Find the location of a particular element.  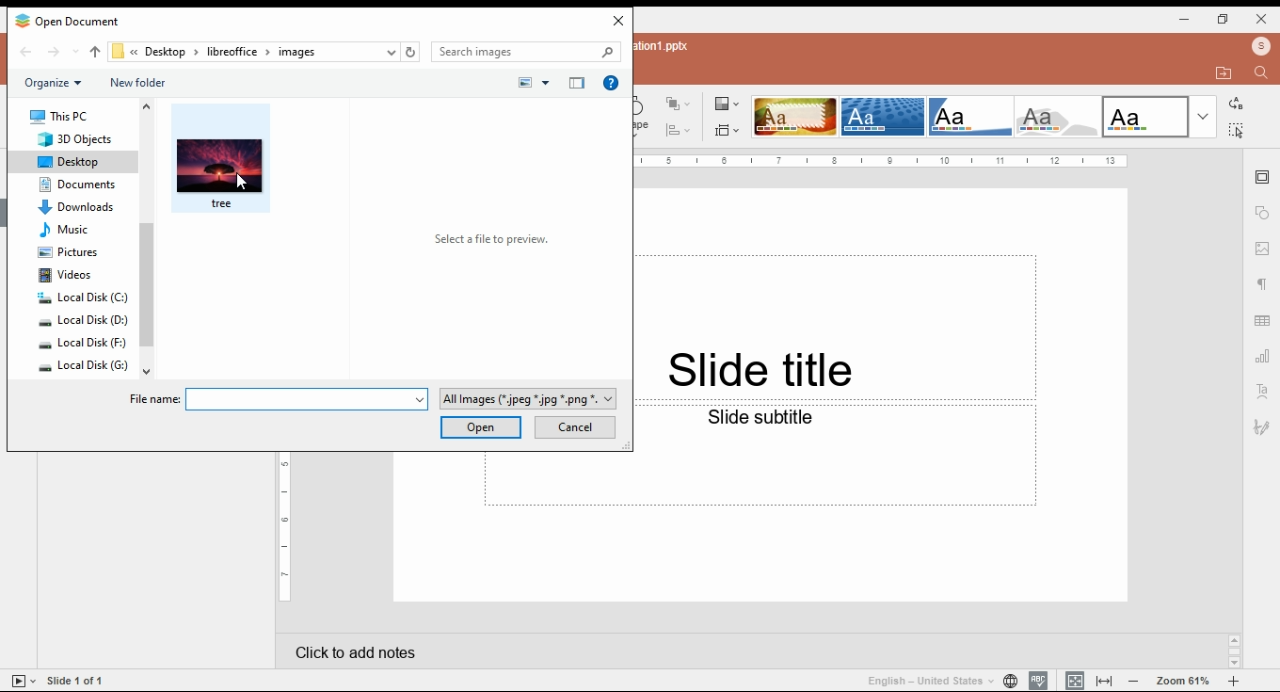

file type is located at coordinates (526, 399).